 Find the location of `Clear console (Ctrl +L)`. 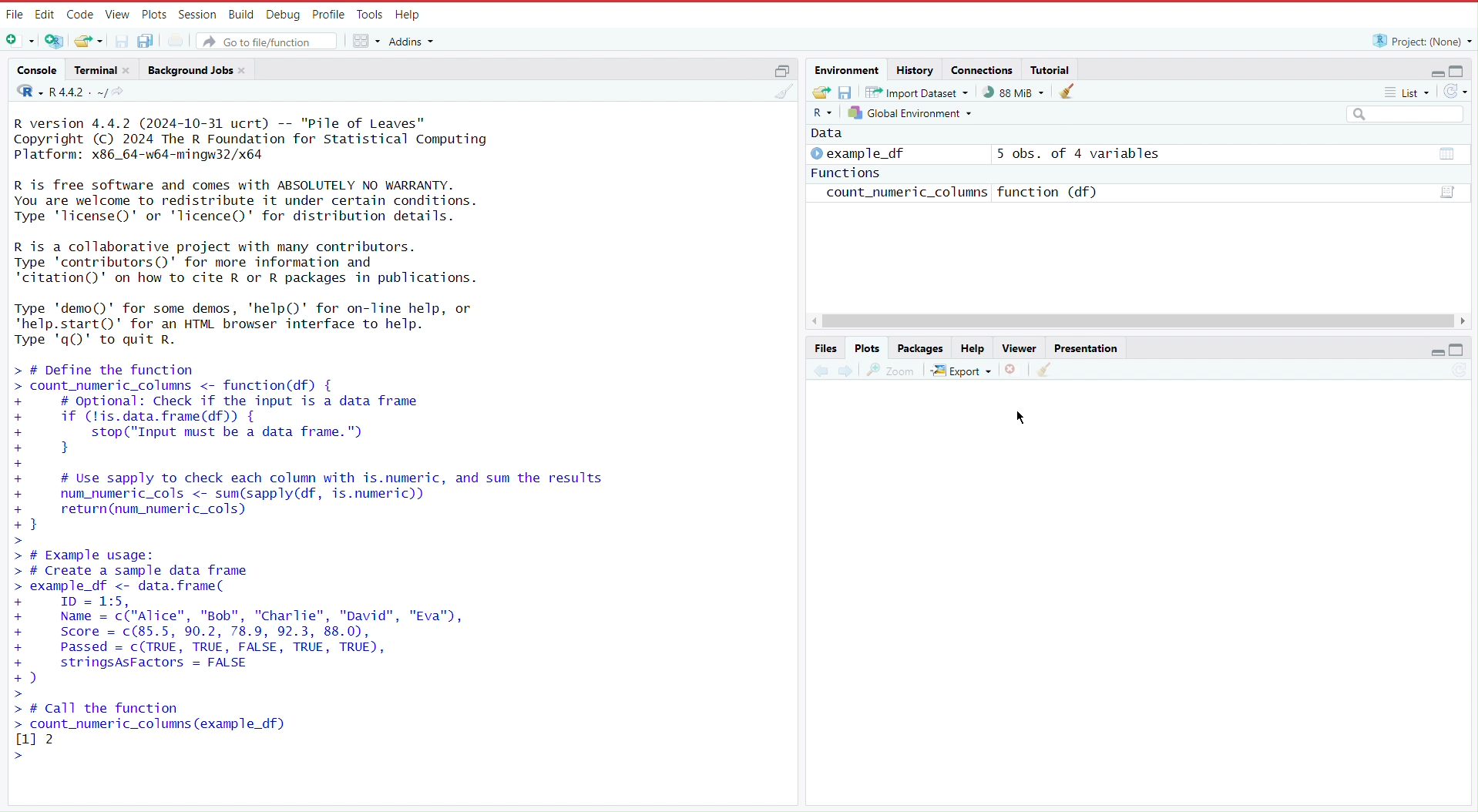

Clear console (Ctrl +L) is located at coordinates (1071, 92).